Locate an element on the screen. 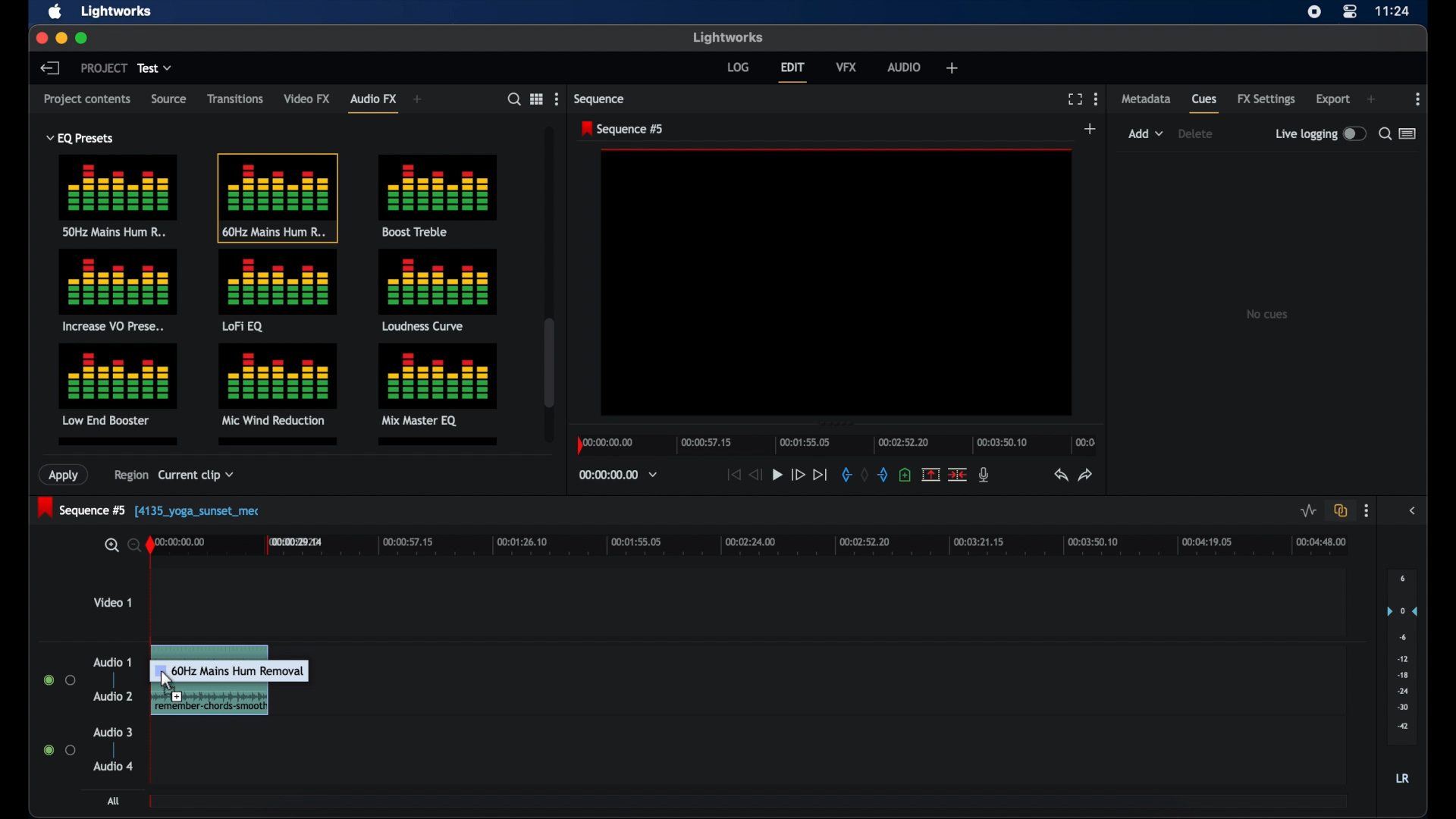  toggle audio levels editing is located at coordinates (1307, 510).